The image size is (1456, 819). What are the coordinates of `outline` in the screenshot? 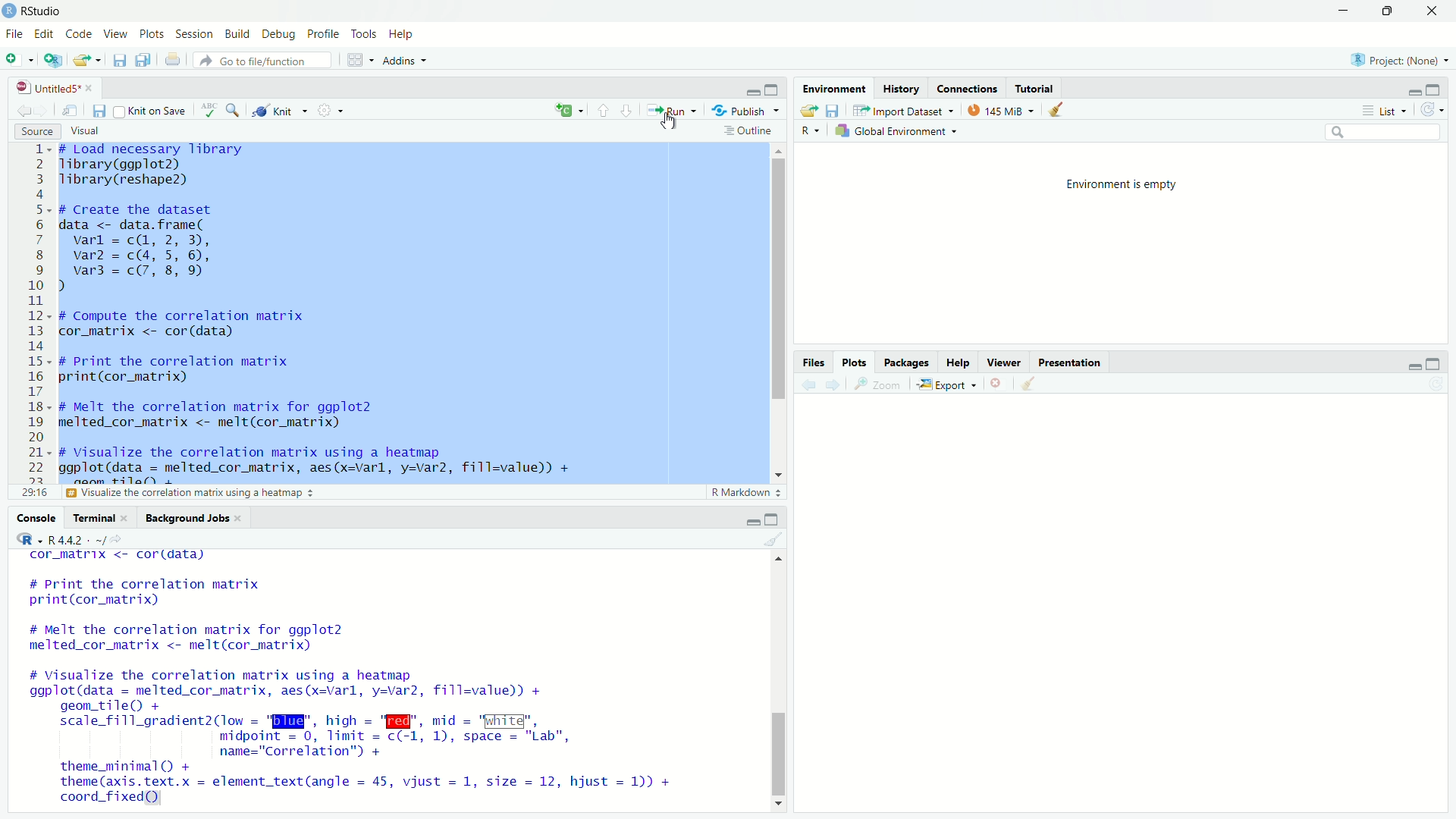 It's located at (752, 131).